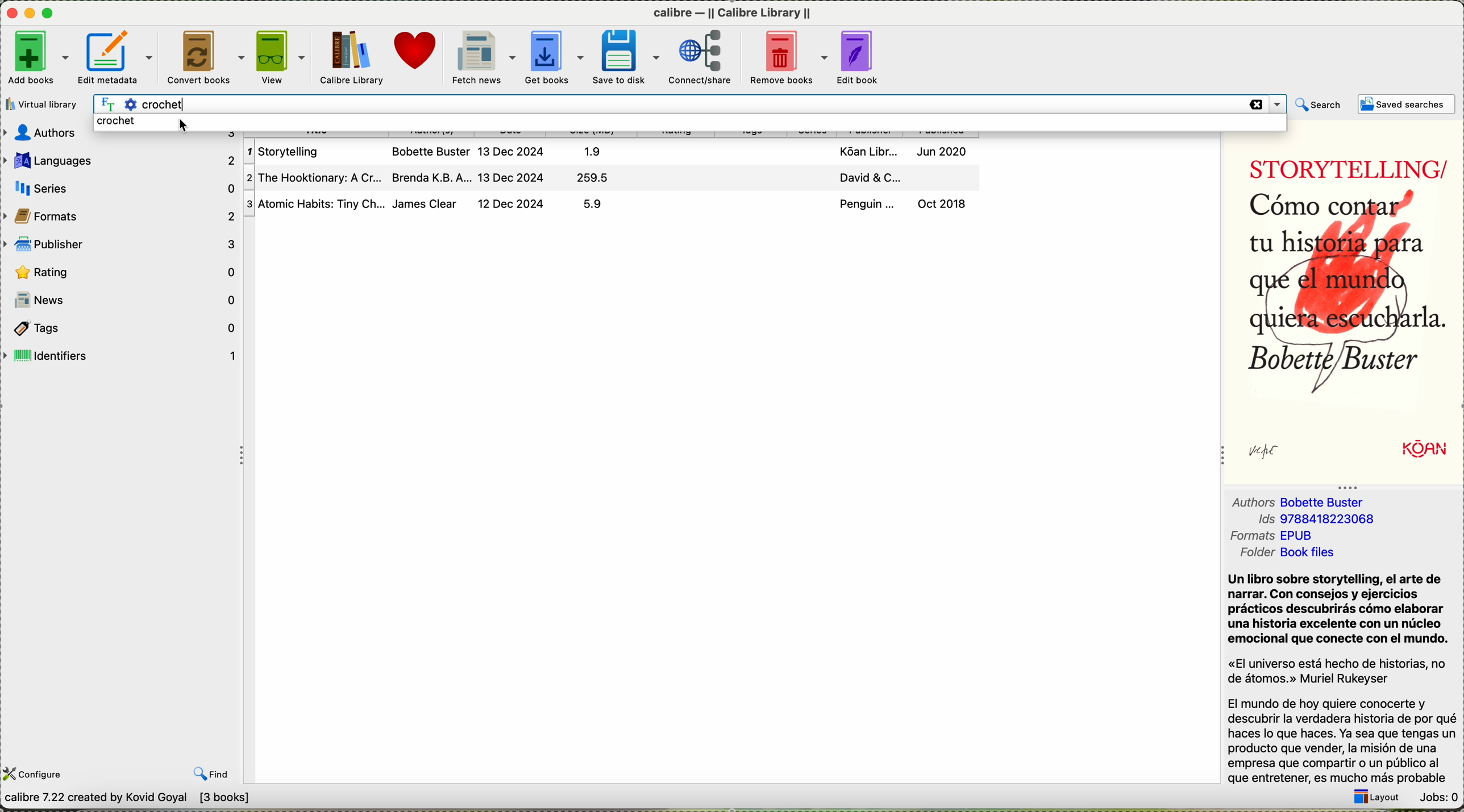 The width and height of the screenshot is (1464, 812). Describe the element at coordinates (1338, 610) in the screenshot. I see `Un libro sobre storytelling, el arte ade
narrar. Con consejos y ejercicios
practicos descubriras como elaborar
una historia excelente con un ntcleo
emocional que conecte con el mundo.` at that location.